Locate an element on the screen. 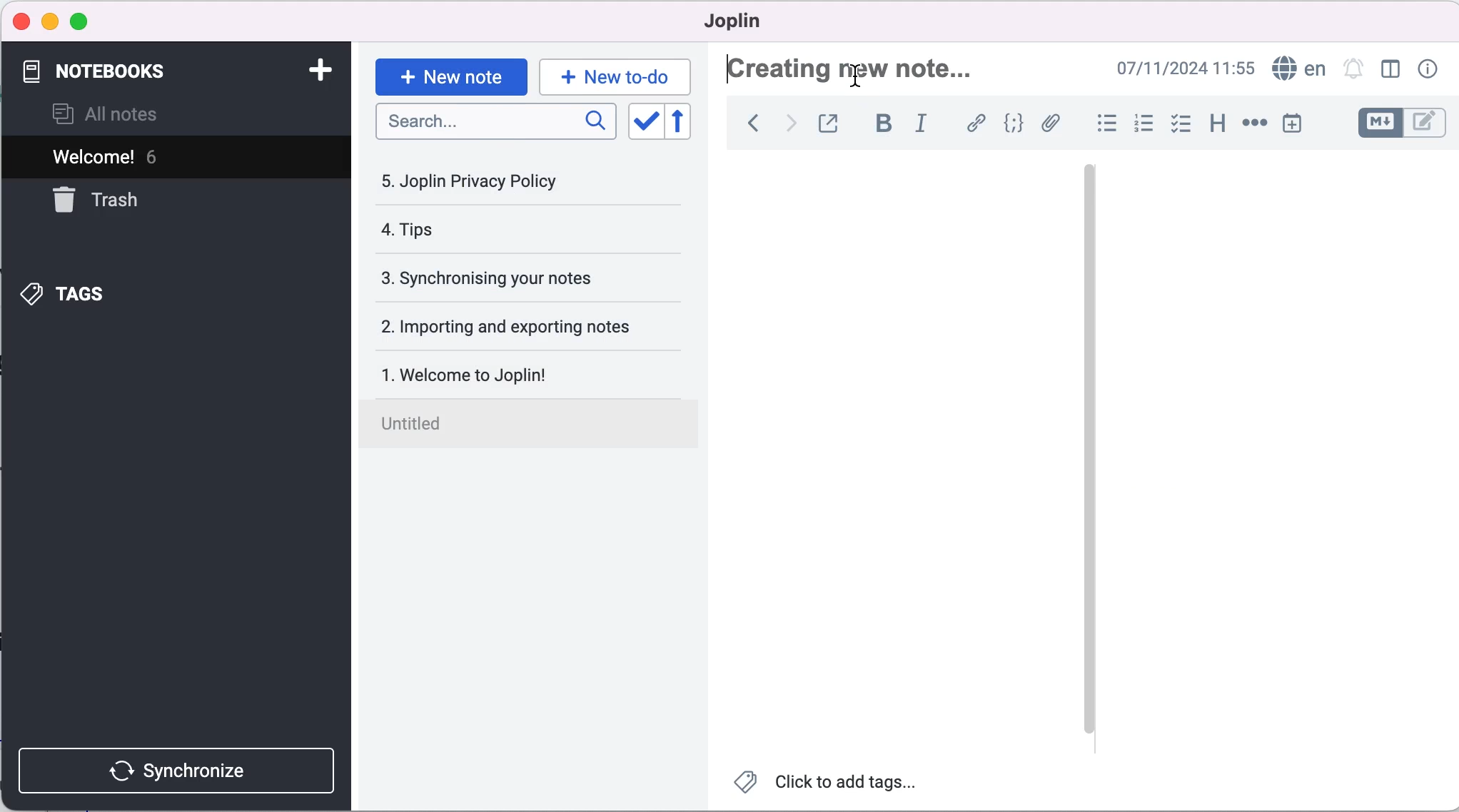  vertical slider is located at coordinates (1091, 200).